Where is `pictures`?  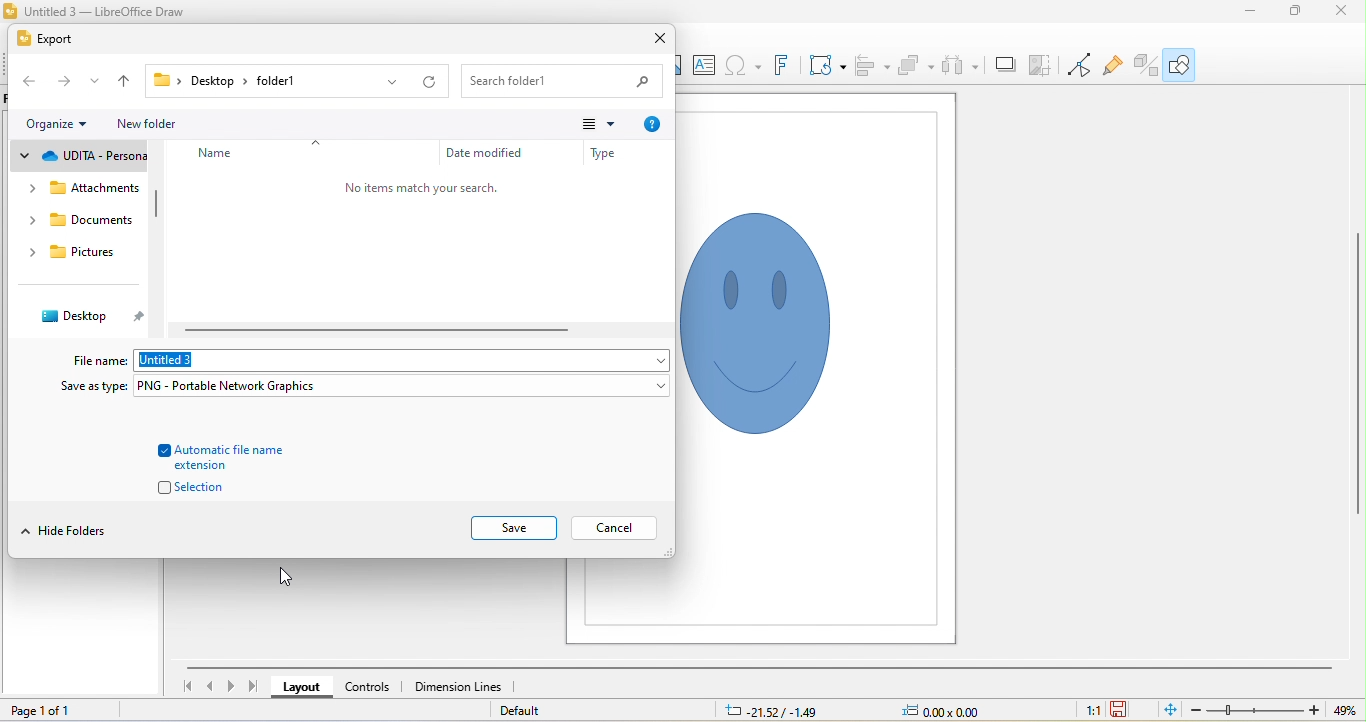
pictures is located at coordinates (89, 252).